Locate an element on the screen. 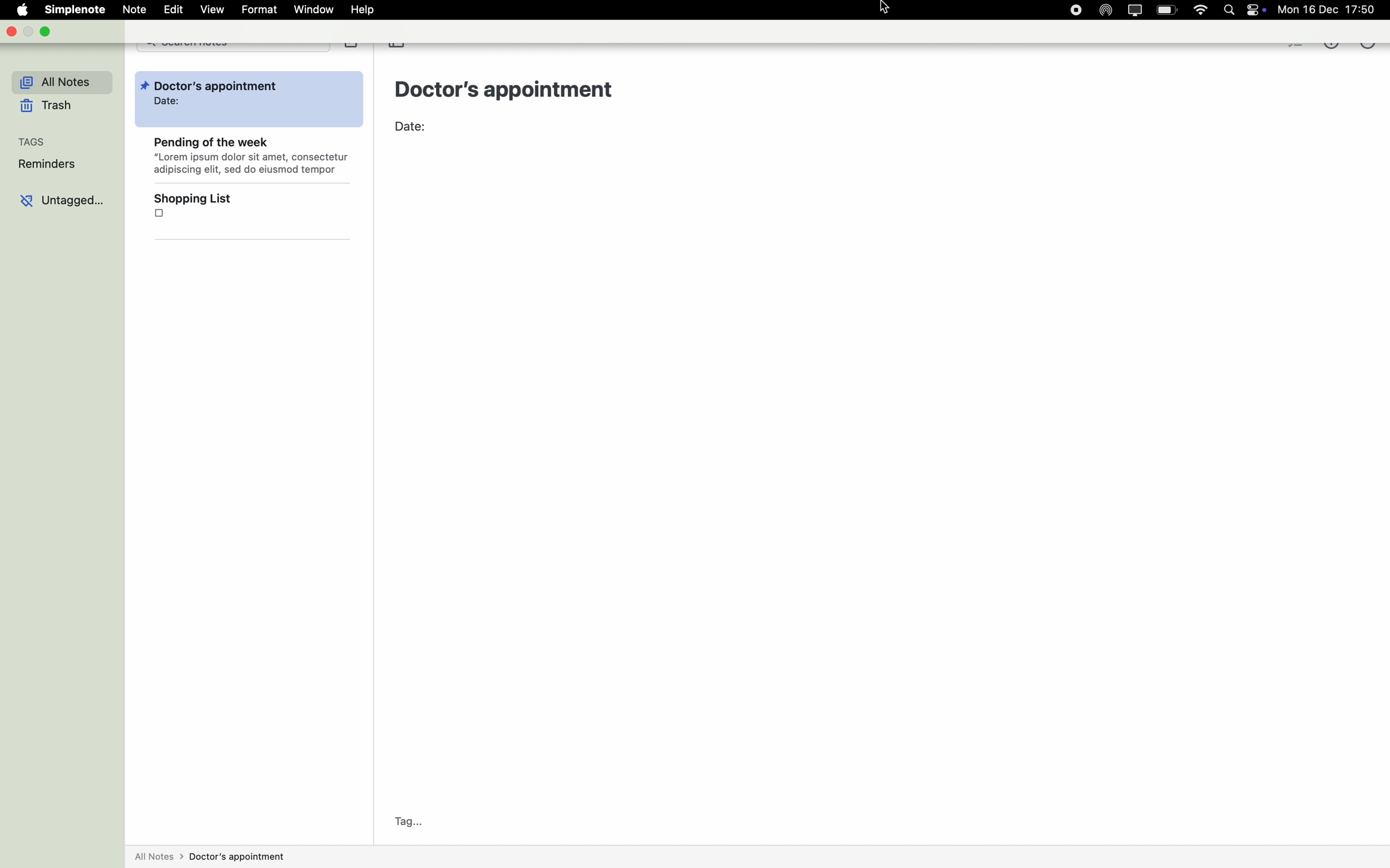  Airdrop is located at coordinates (1107, 10).